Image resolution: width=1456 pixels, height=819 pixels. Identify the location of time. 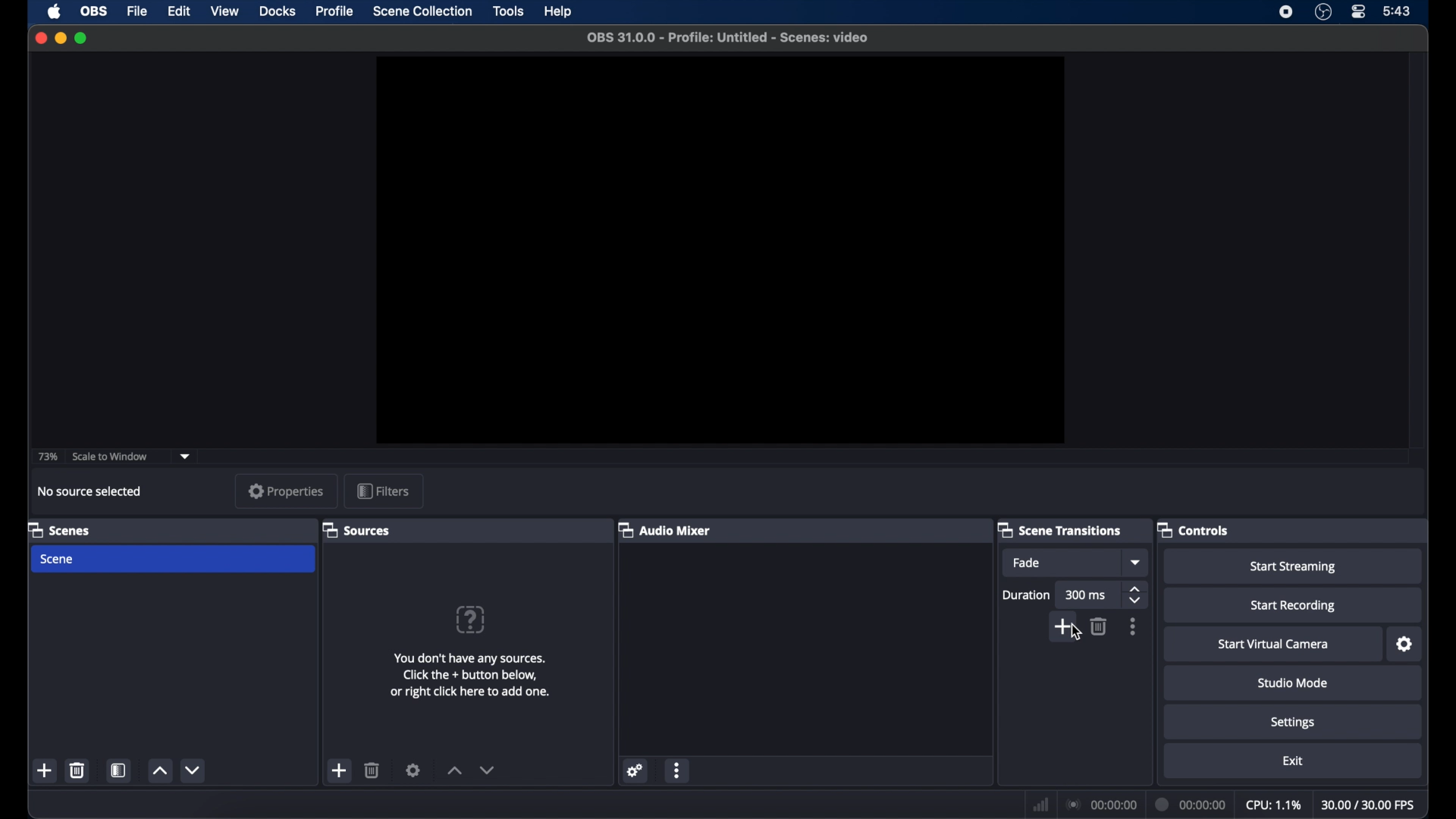
(1398, 12).